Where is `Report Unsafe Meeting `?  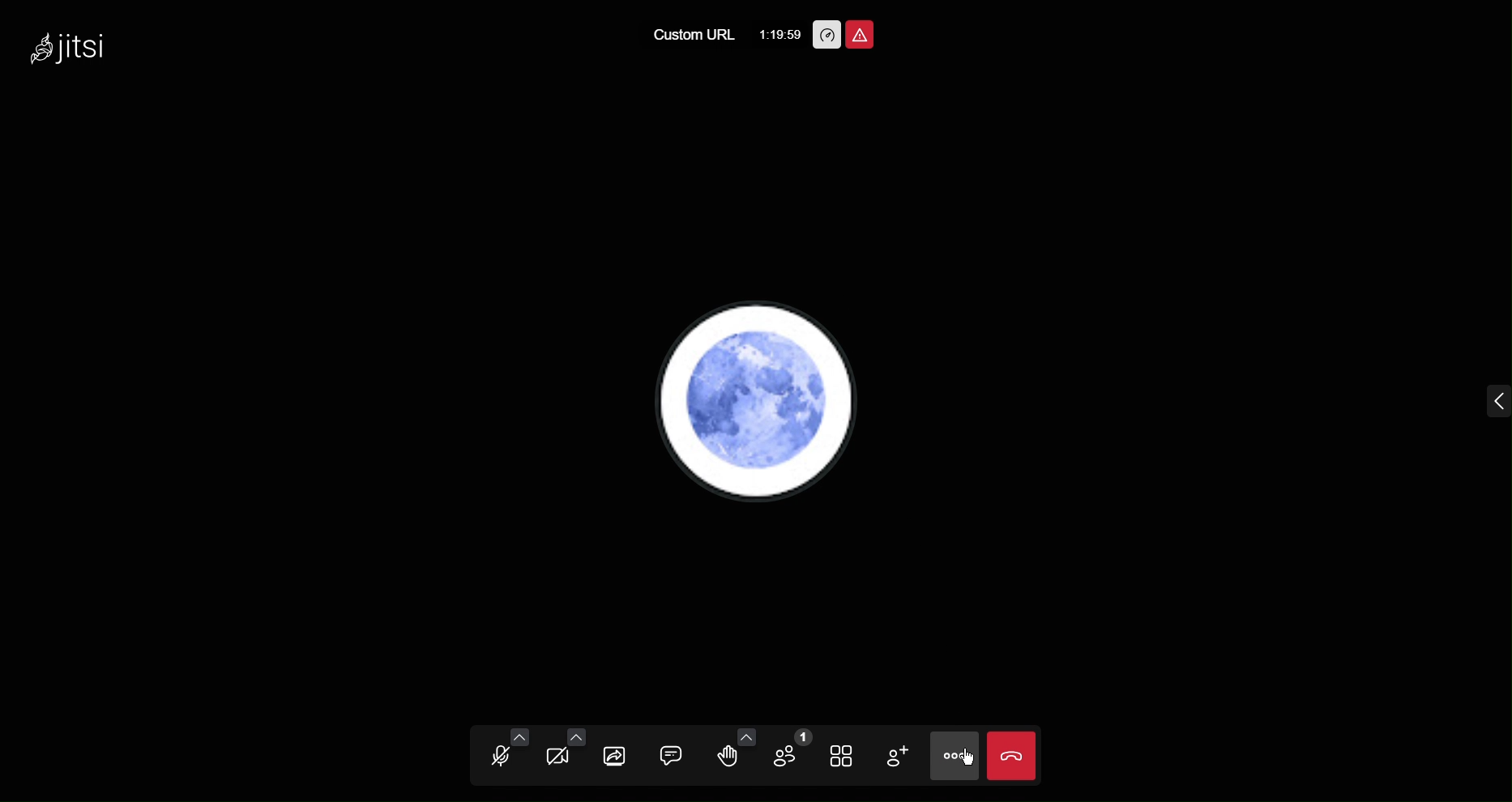 Report Unsafe Meeting  is located at coordinates (861, 34).